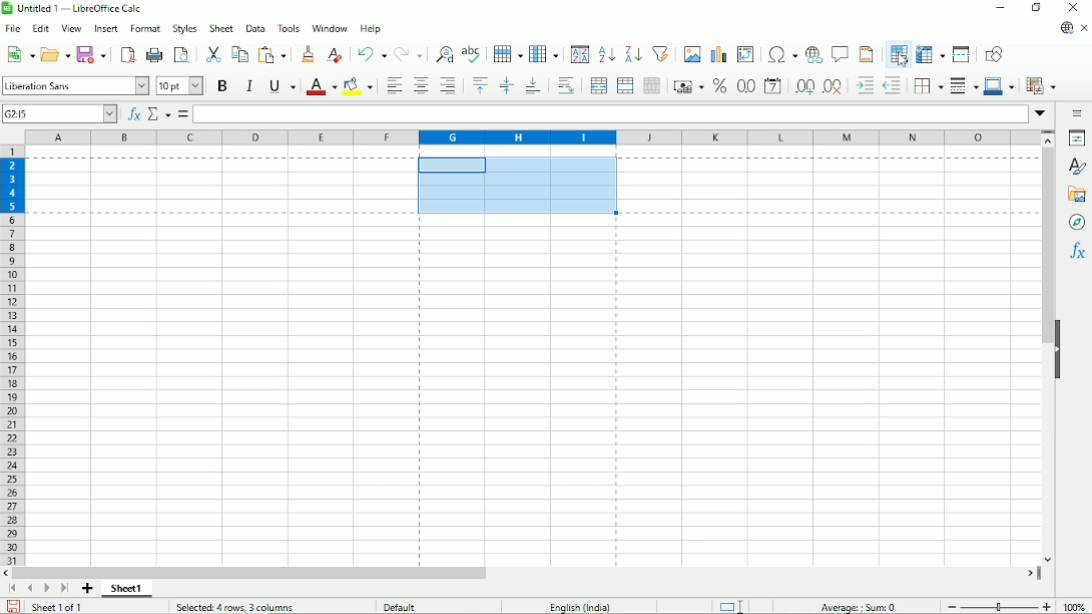 This screenshot has width=1092, height=614. I want to click on Insert chart, so click(717, 52).